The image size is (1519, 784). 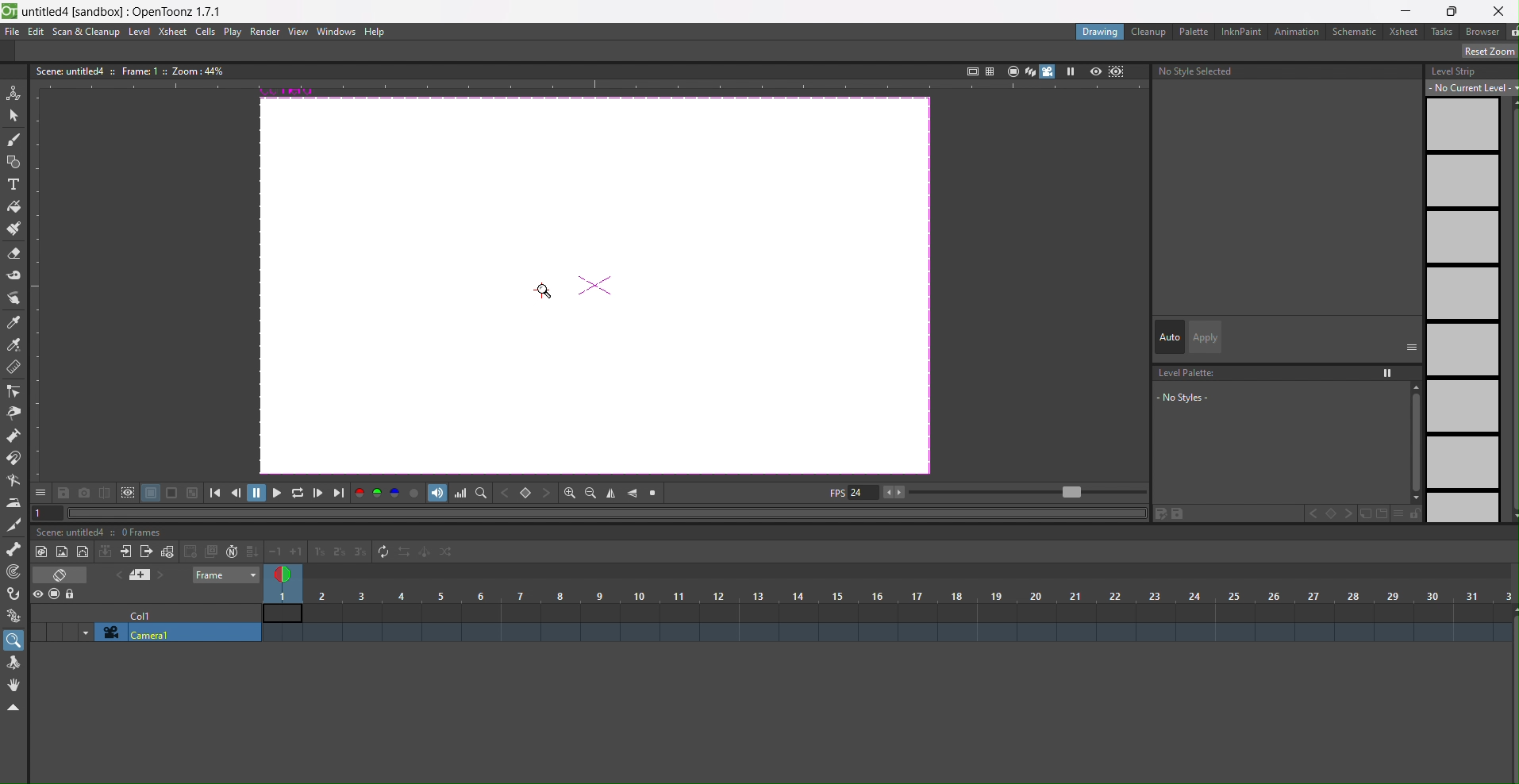 I want to click on windows, so click(x=337, y=33).